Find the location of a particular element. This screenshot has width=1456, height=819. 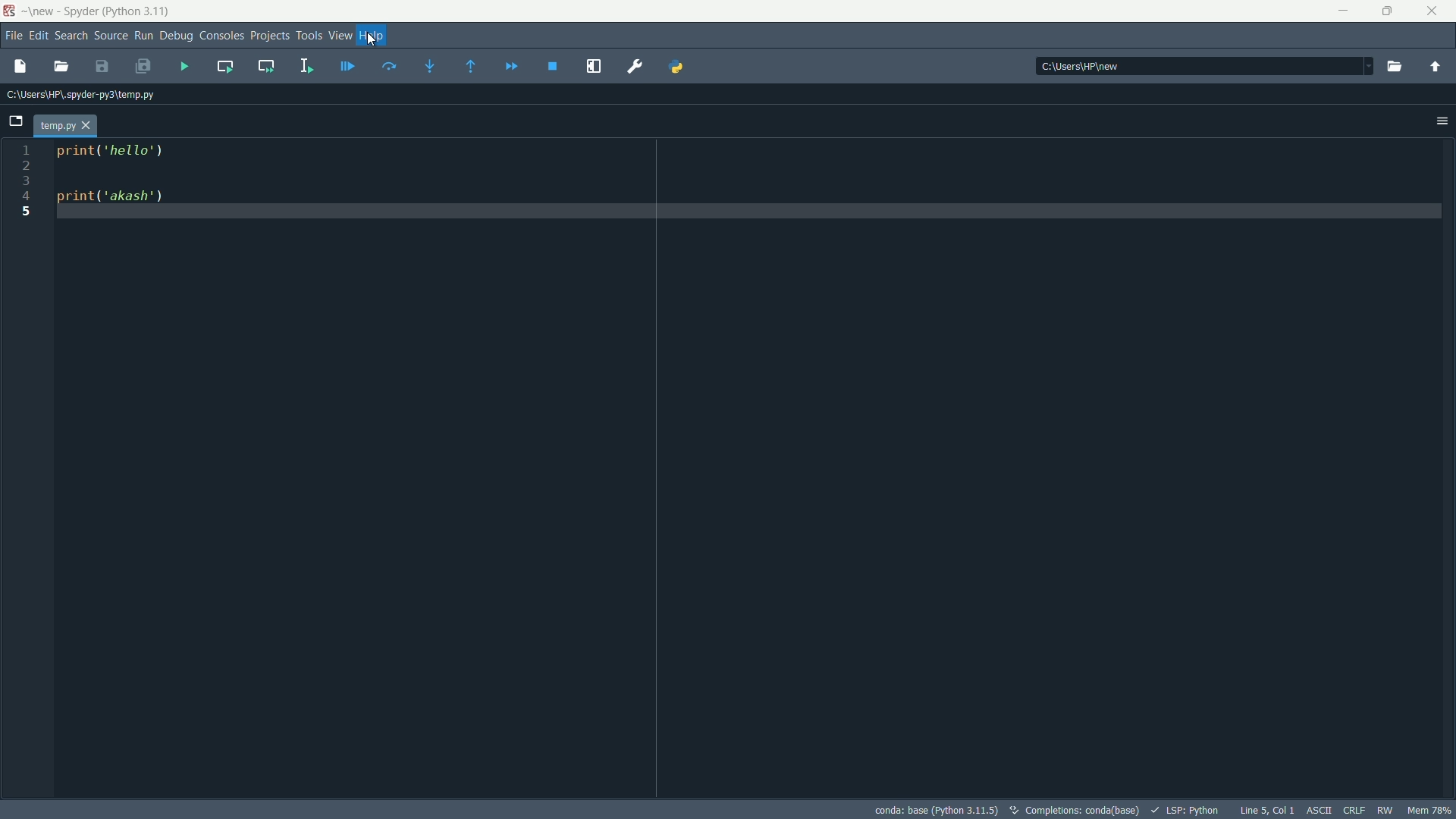

lsp:python is located at coordinates (1187, 810).